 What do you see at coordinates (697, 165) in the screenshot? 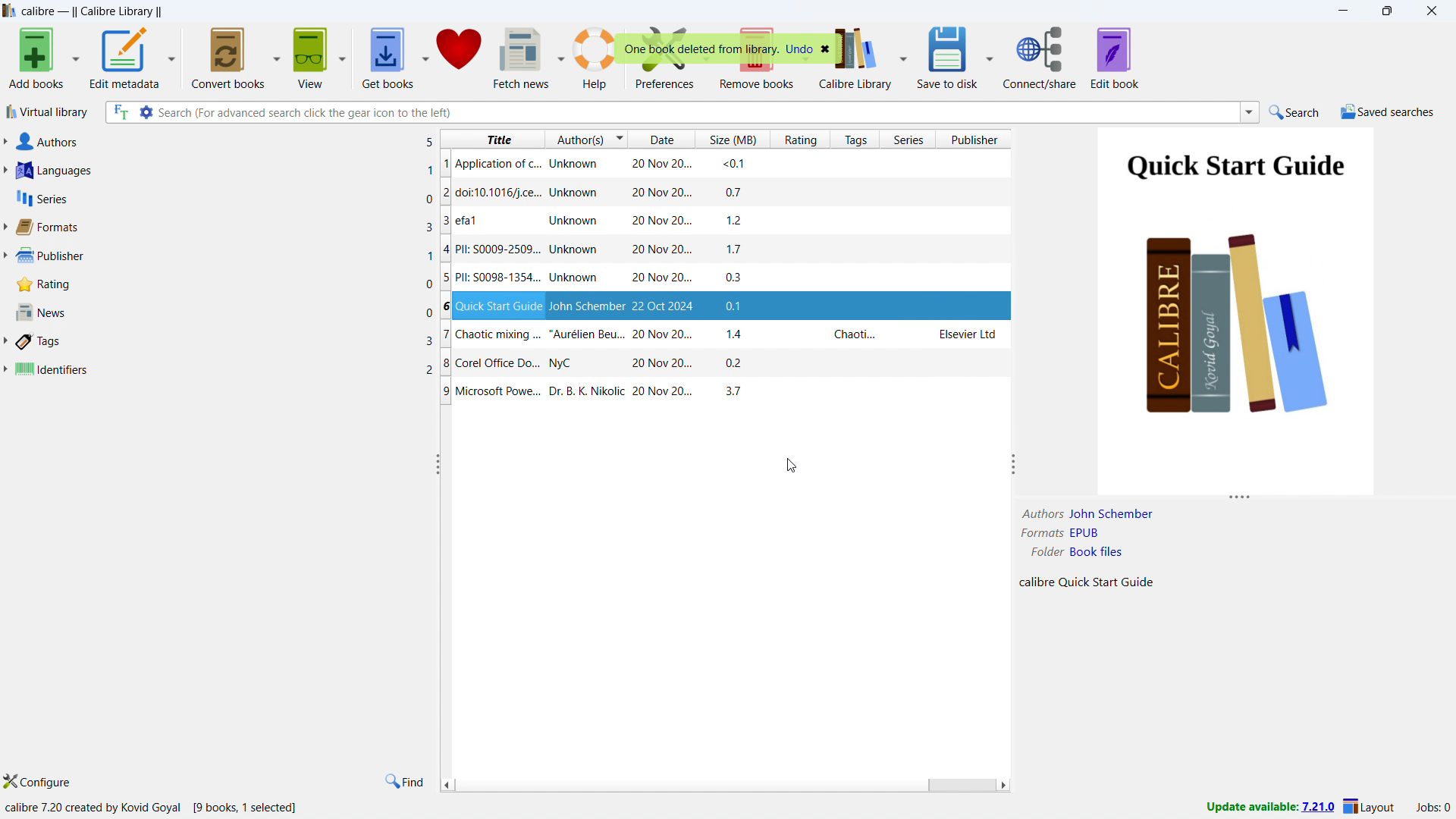
I see `Application of c.` at bounding box center [697, 165].